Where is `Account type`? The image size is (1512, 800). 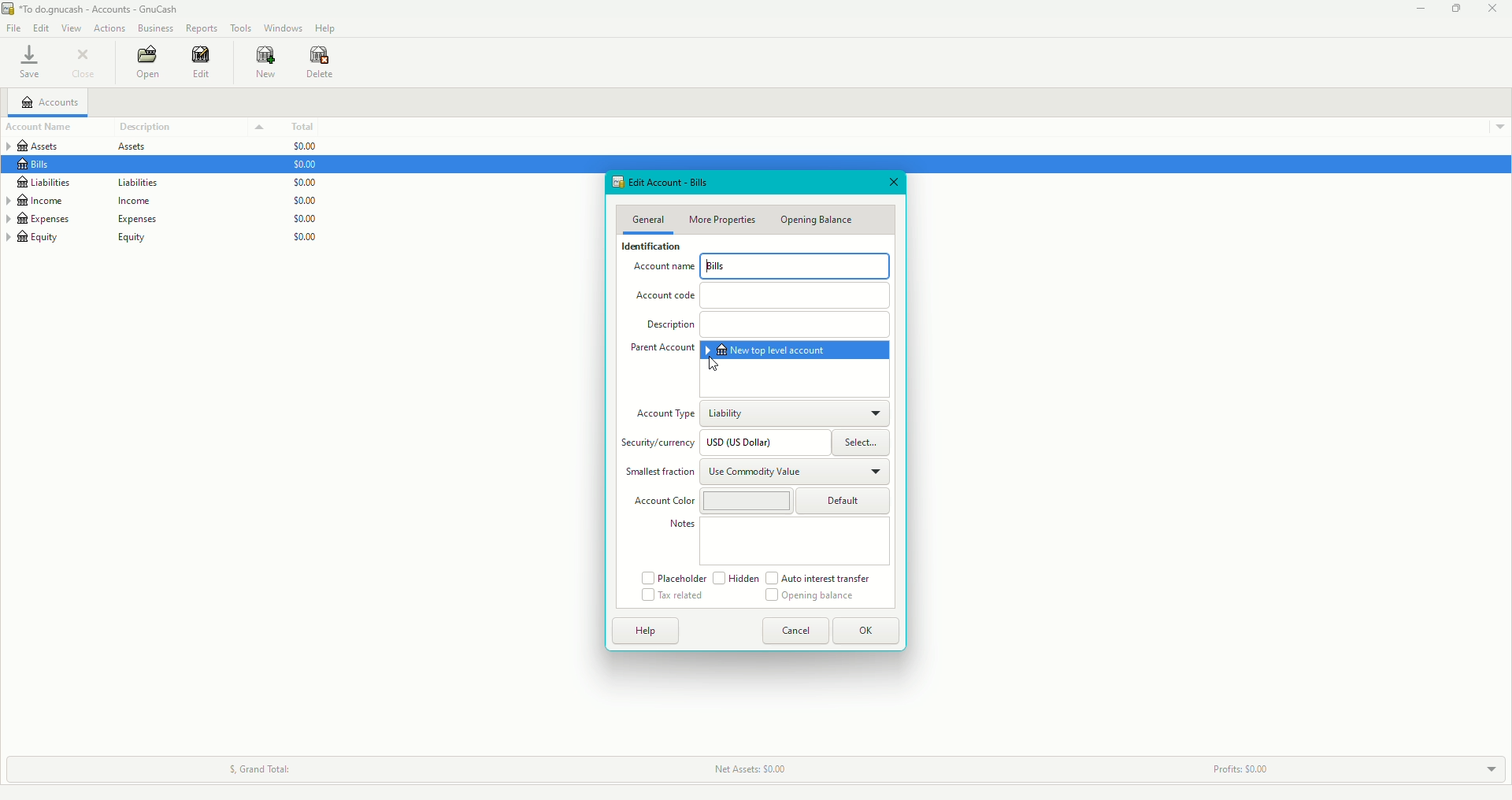
Account type is located at coordinates (662, 415).